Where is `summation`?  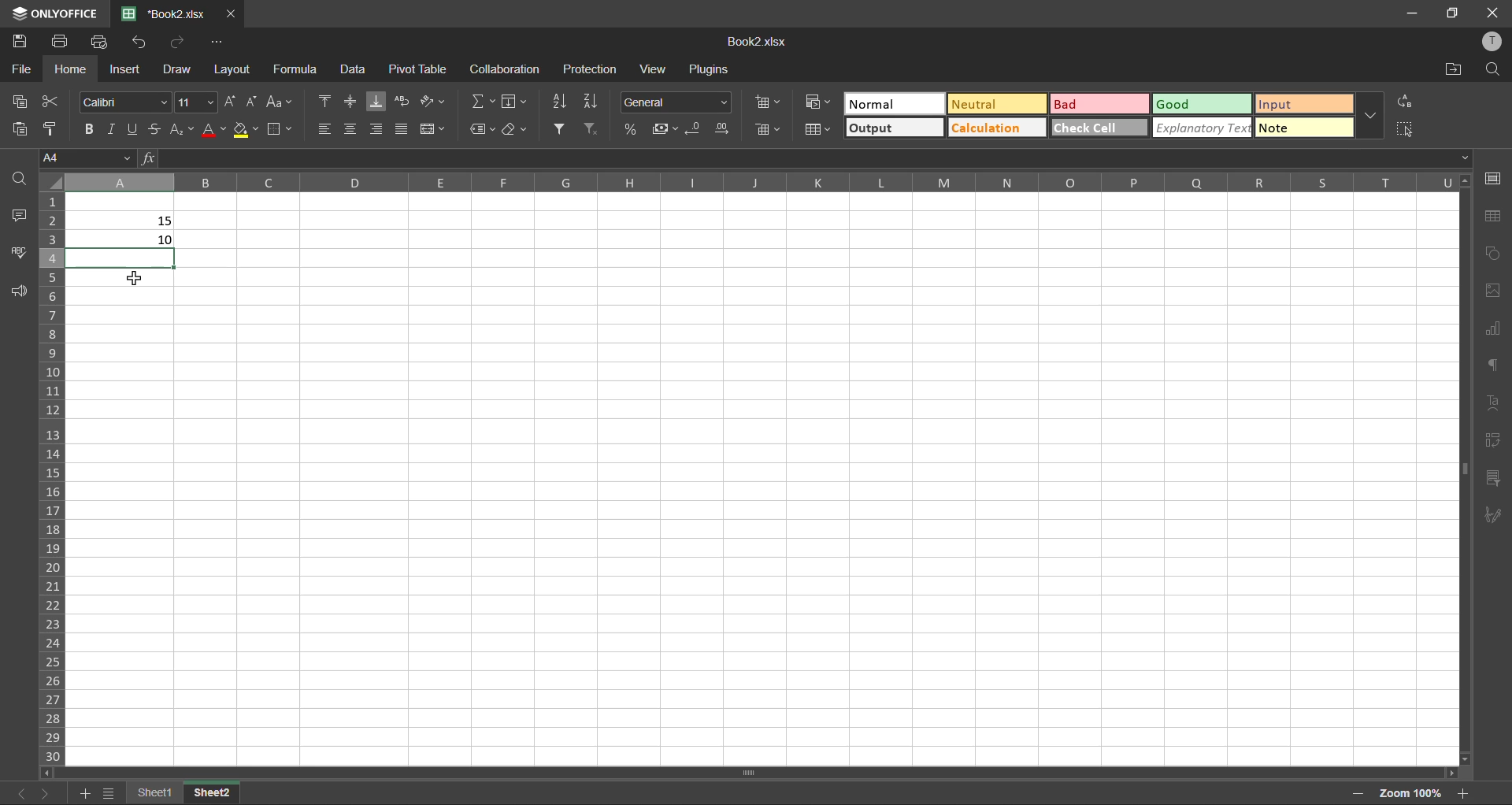
summation is located at coordinates (484, 101).